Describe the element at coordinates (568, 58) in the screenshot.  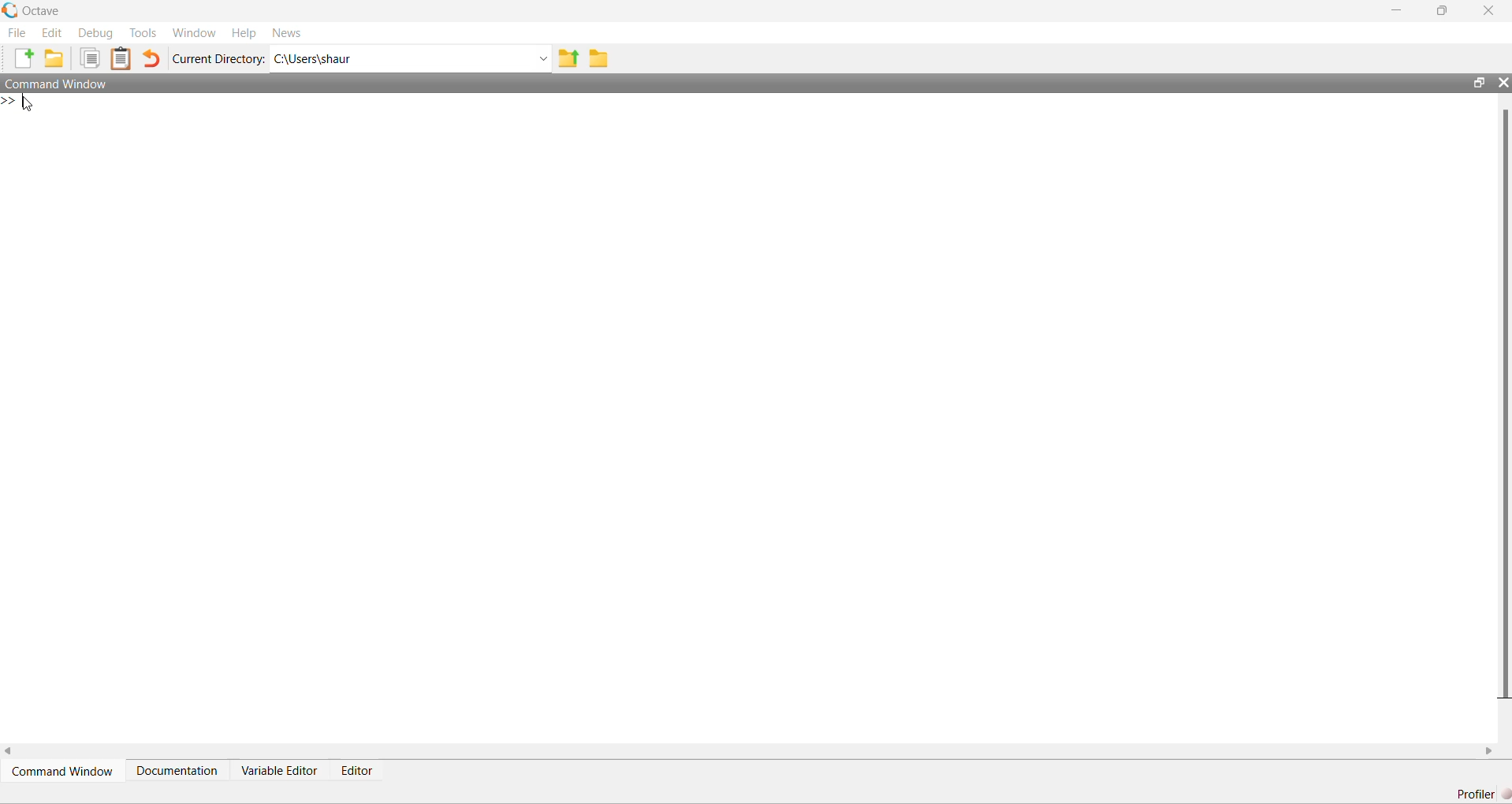
I see `share folder` at that location.